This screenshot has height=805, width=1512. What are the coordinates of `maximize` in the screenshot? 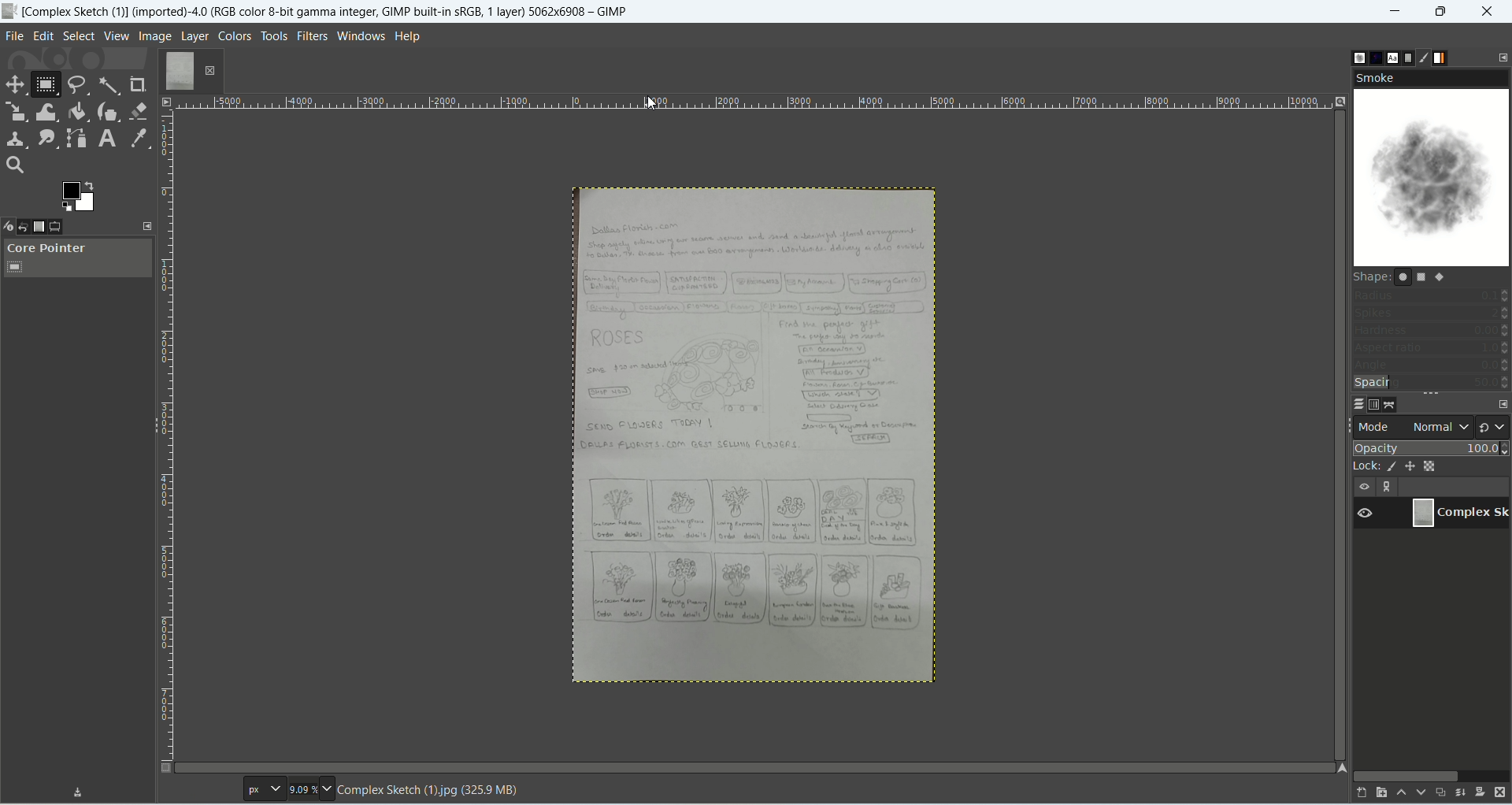 It's located at (1440, 11).